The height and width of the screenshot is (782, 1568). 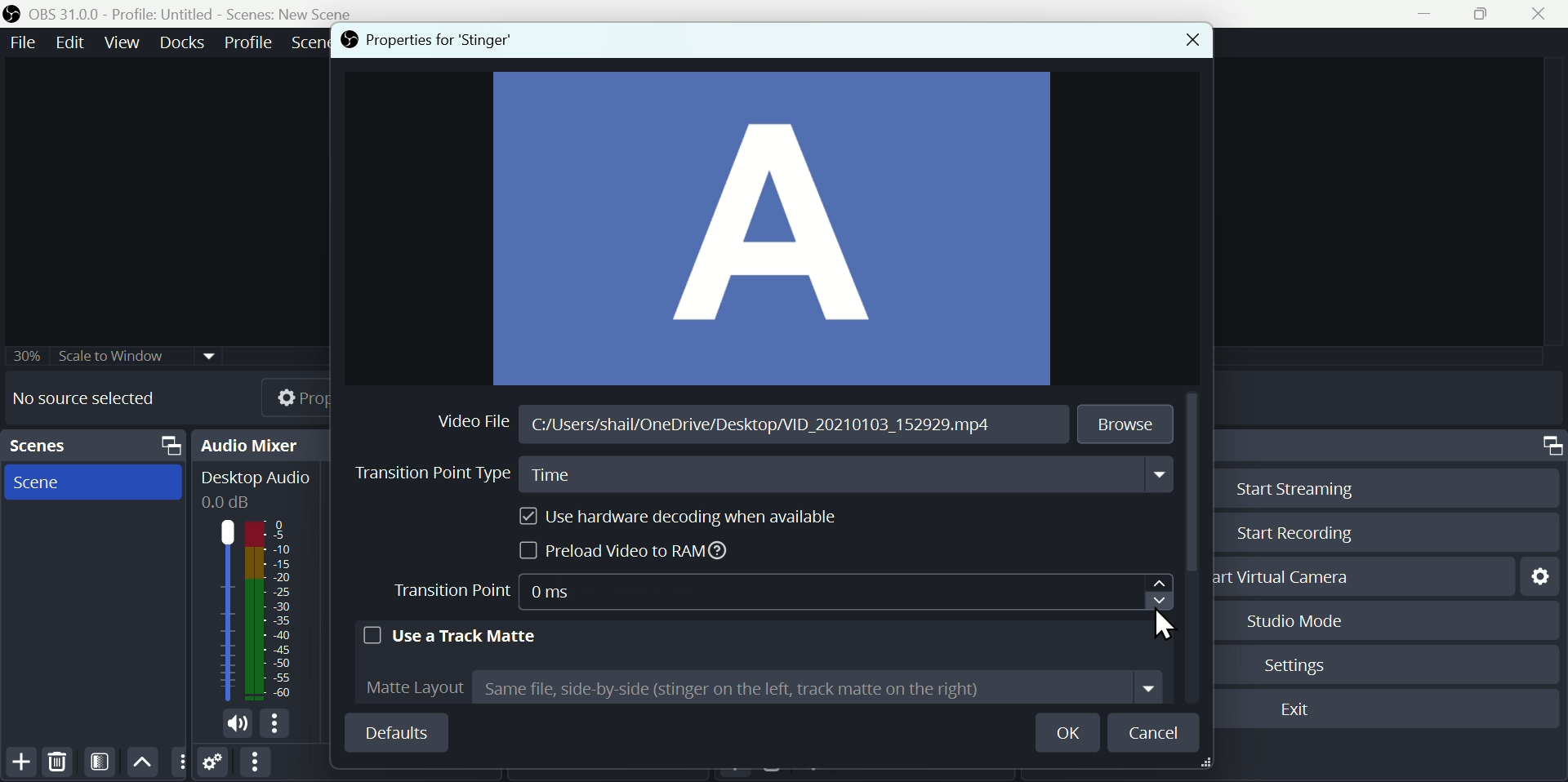 I want to click on Scroll bar, so click(x=1196, y=486).